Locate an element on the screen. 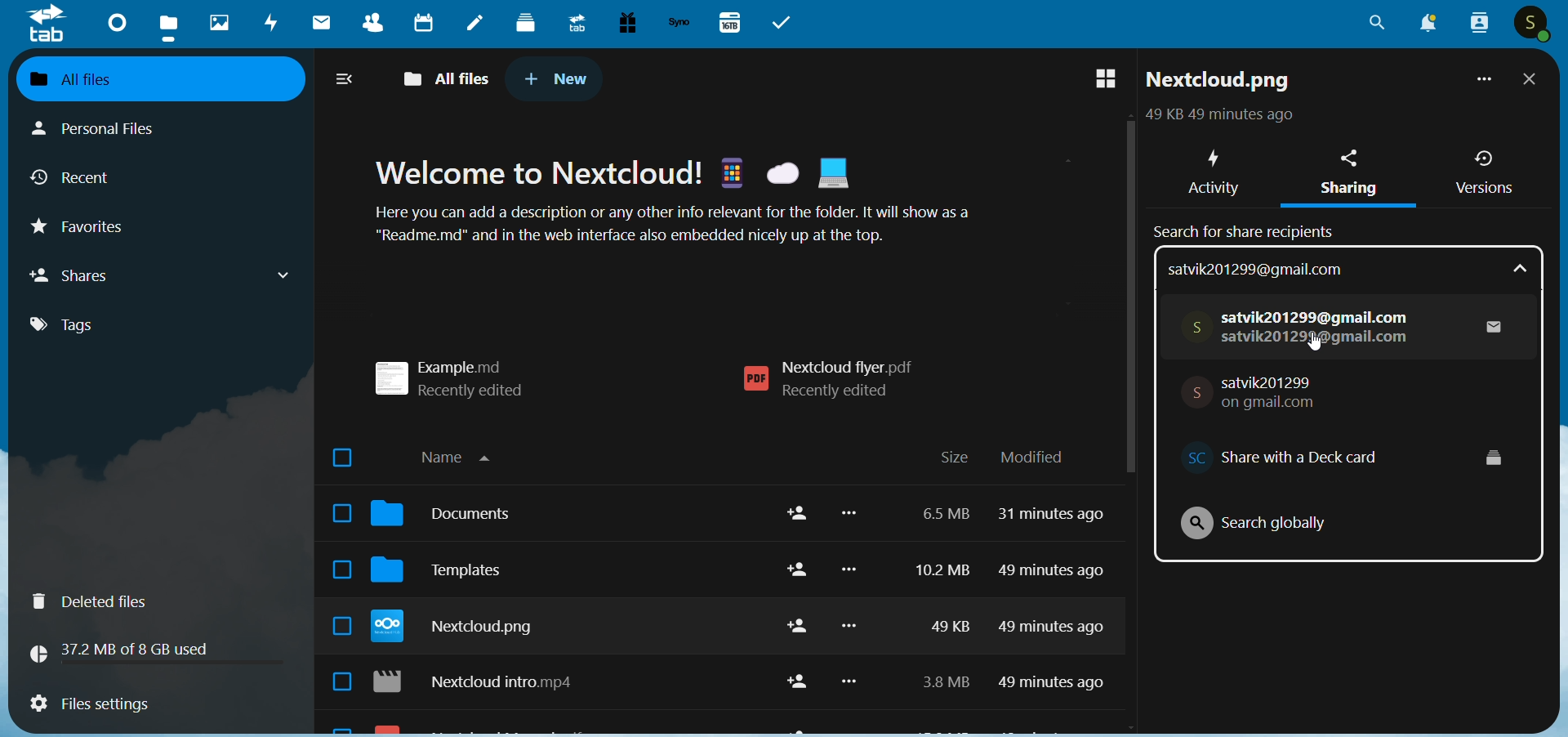 Image resolution: width=1568 pixels, height=737 pixels. modified is located at coordinates (1032, 458).